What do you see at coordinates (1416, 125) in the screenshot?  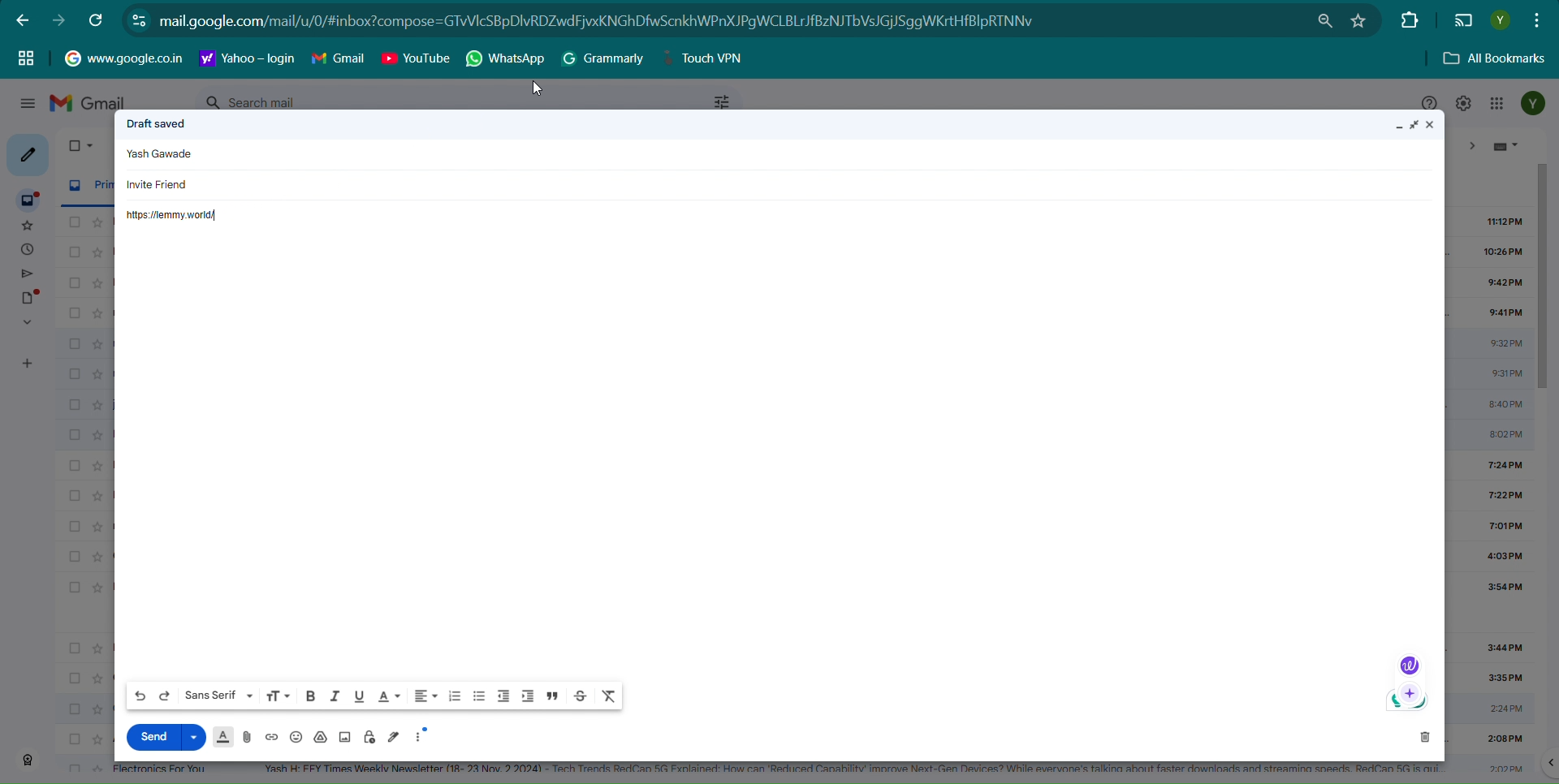 I see `Maximize` at bounding box center [1416, 125].